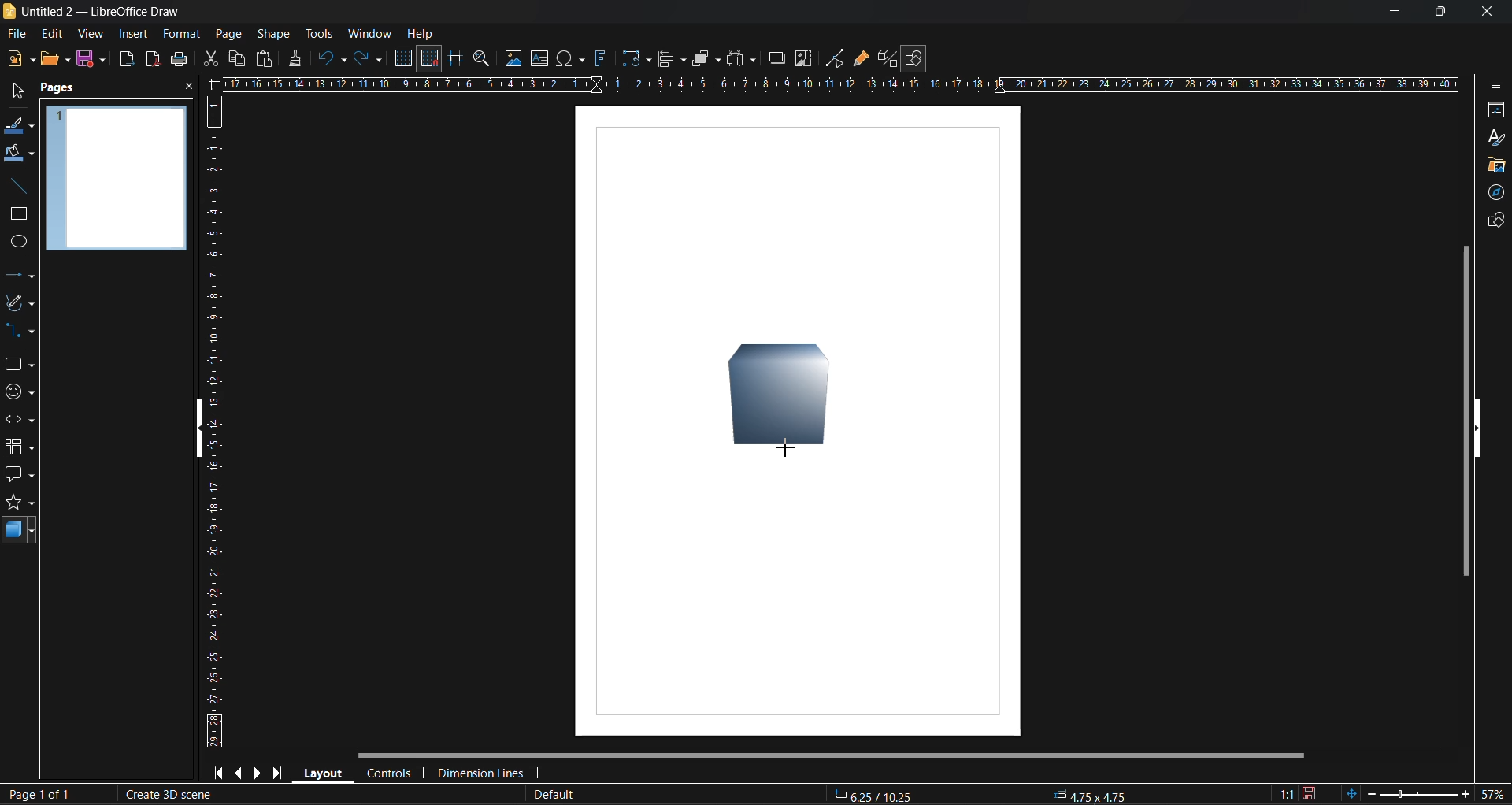 The width and height of the screenshot is (1512, 805). Describe the element at coordinates (22, 33) in the screenshot. I see `file` at that location.